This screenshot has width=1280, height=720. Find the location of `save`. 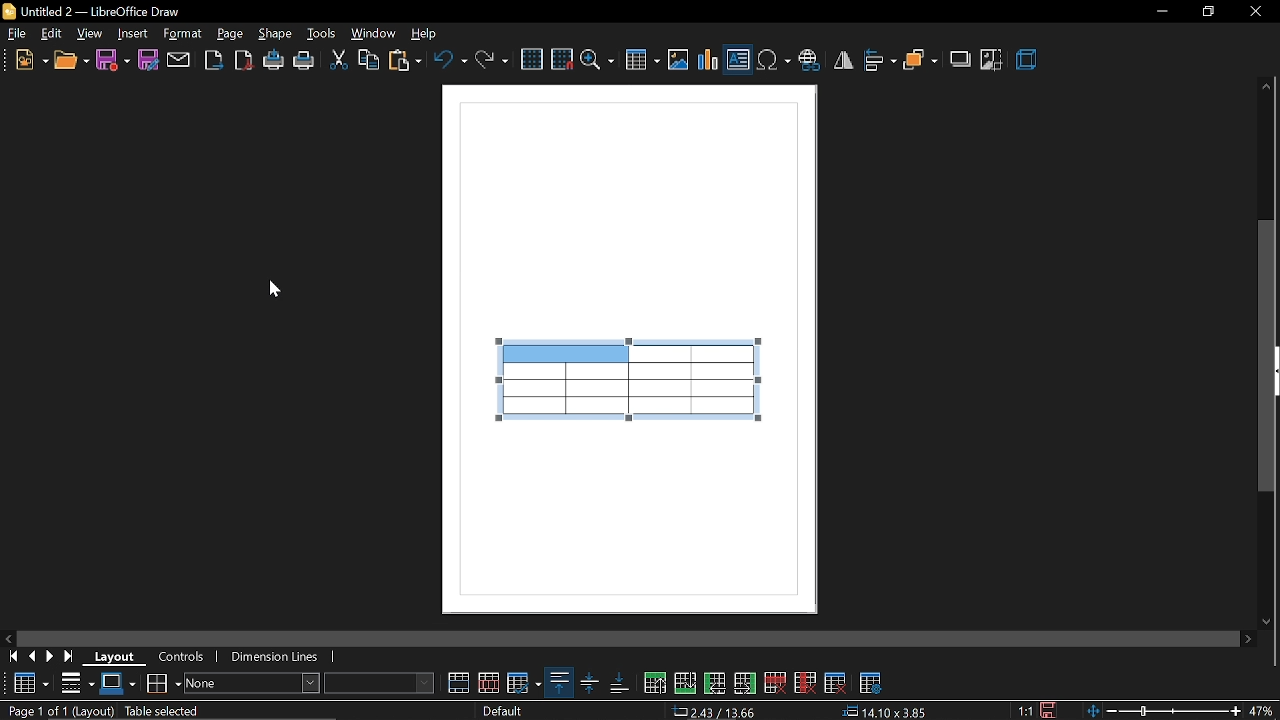

save is located at coordinates (1050, 709).